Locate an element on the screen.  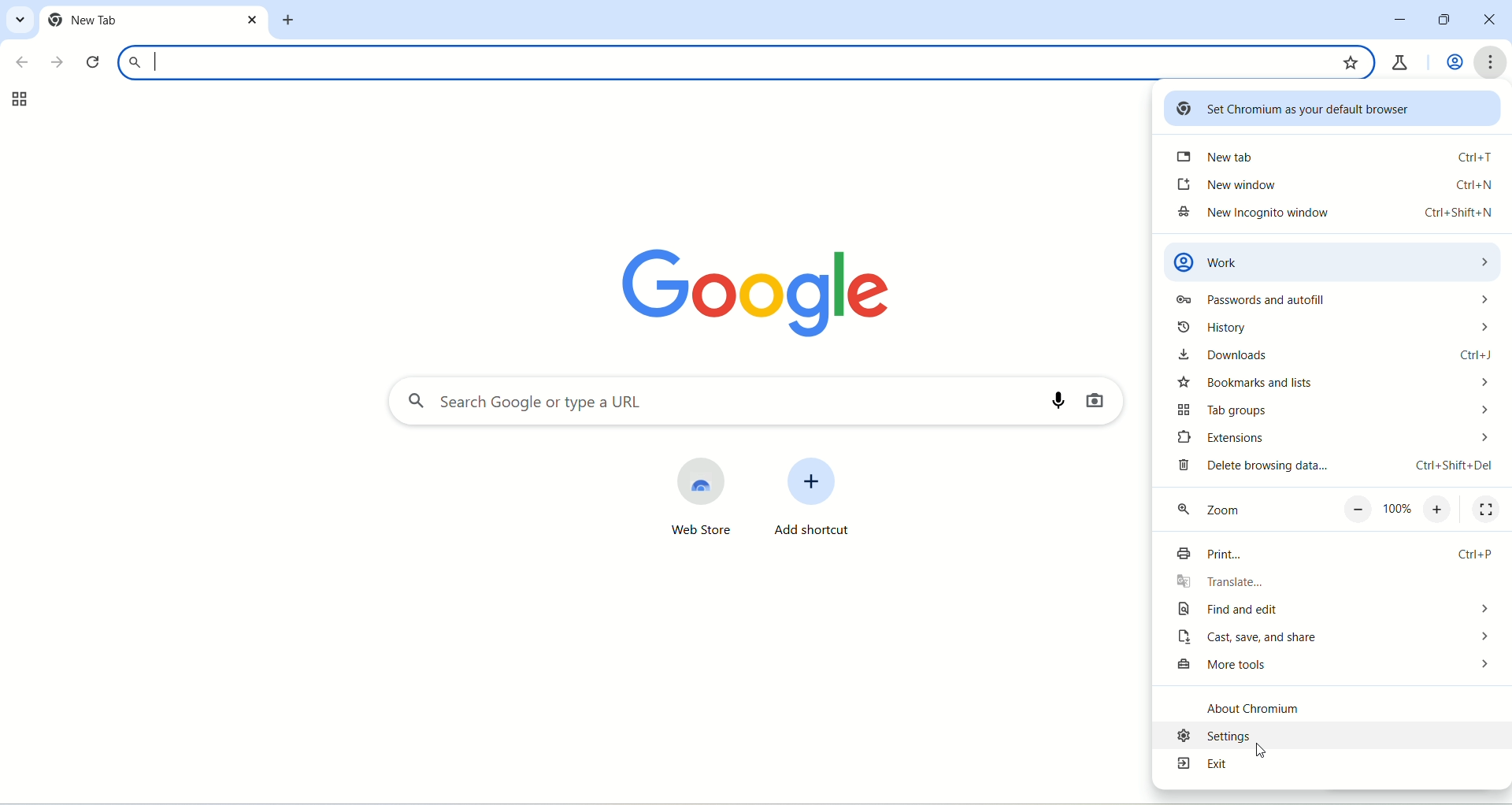
full screen is located at coordinates (1486, 510).